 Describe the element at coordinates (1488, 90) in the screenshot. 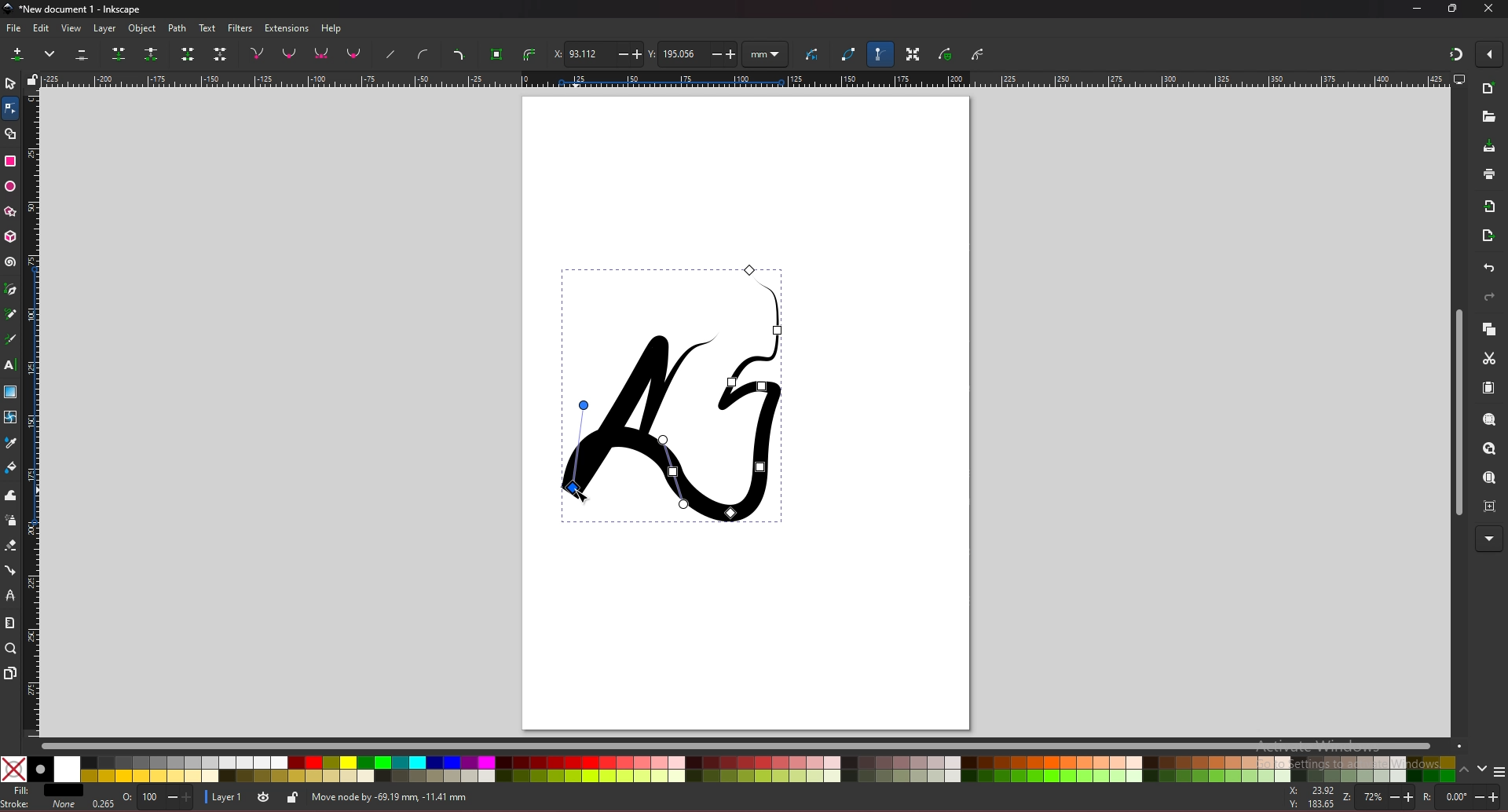

I see `new` at that location.